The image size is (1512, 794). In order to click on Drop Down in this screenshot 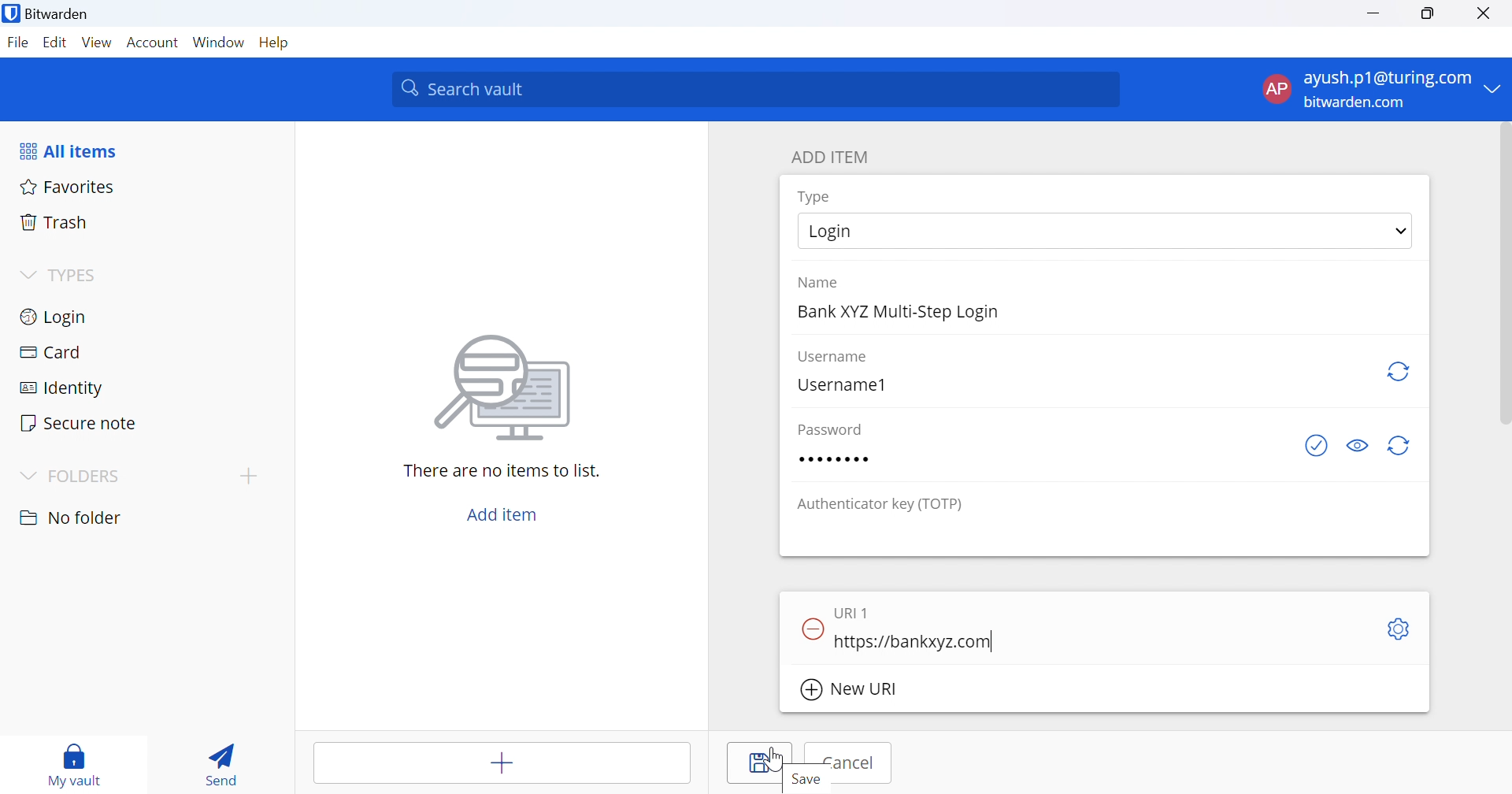, I will do `click(27, 273)`.